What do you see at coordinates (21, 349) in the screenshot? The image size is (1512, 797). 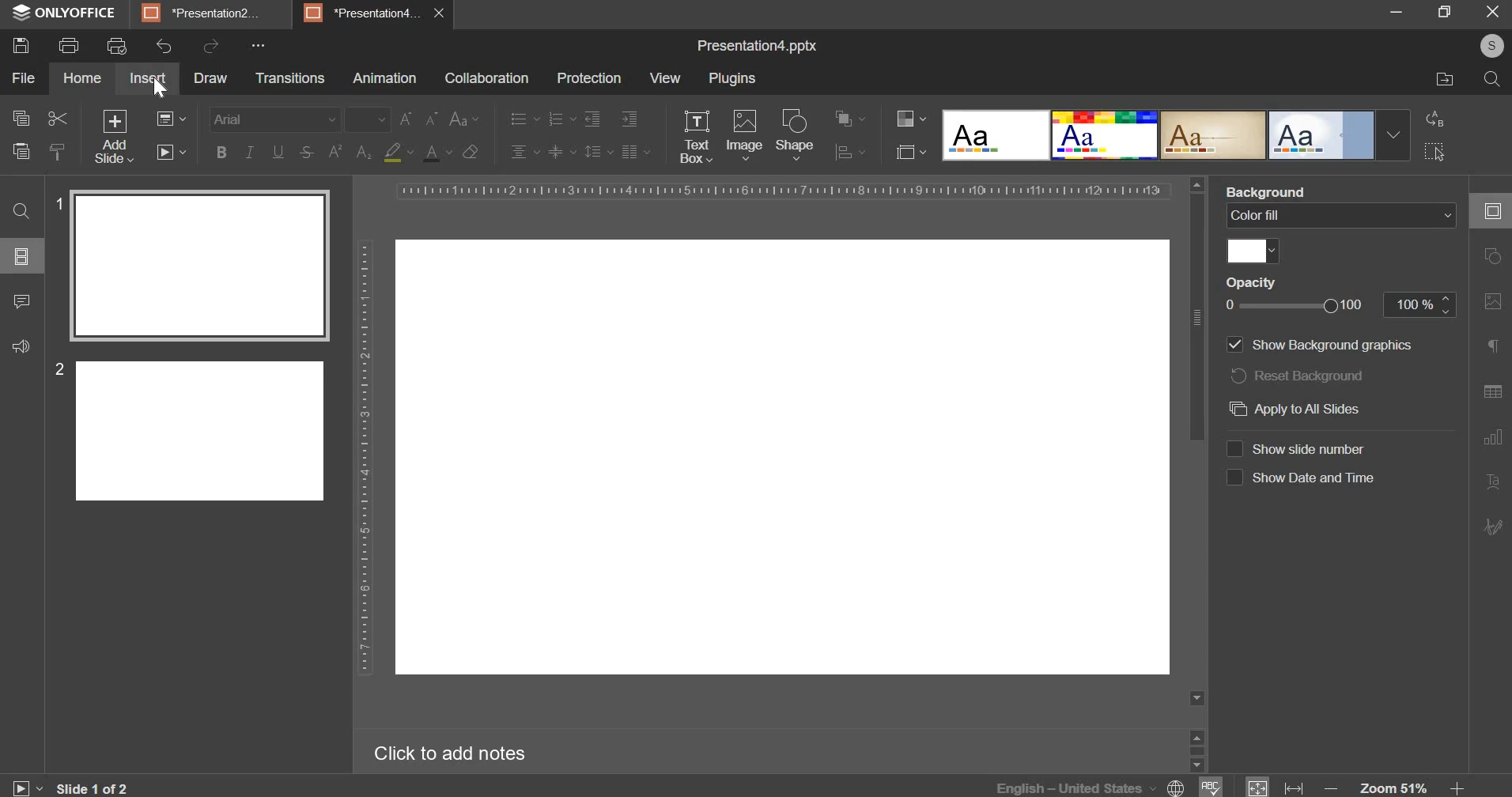 I see `sound` at bounding box center [21, 349].